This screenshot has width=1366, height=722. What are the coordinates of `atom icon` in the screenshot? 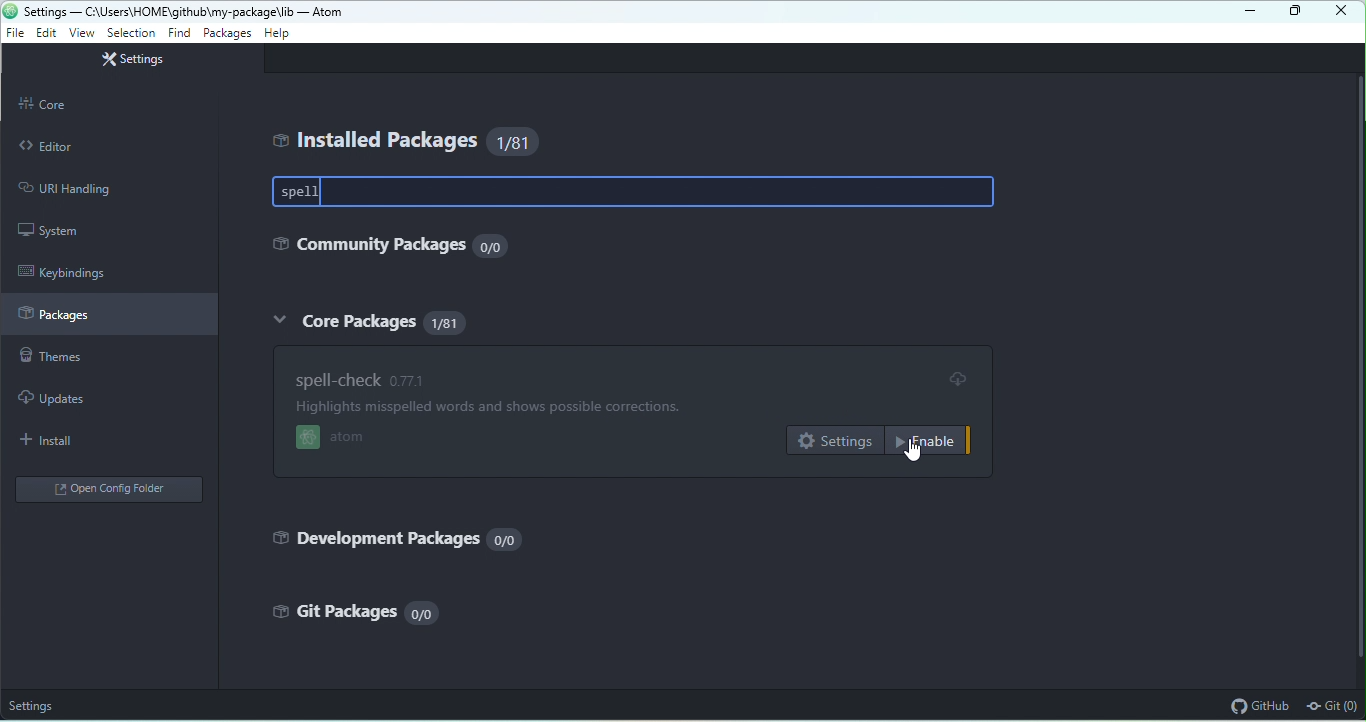 It's located at (10, 10).